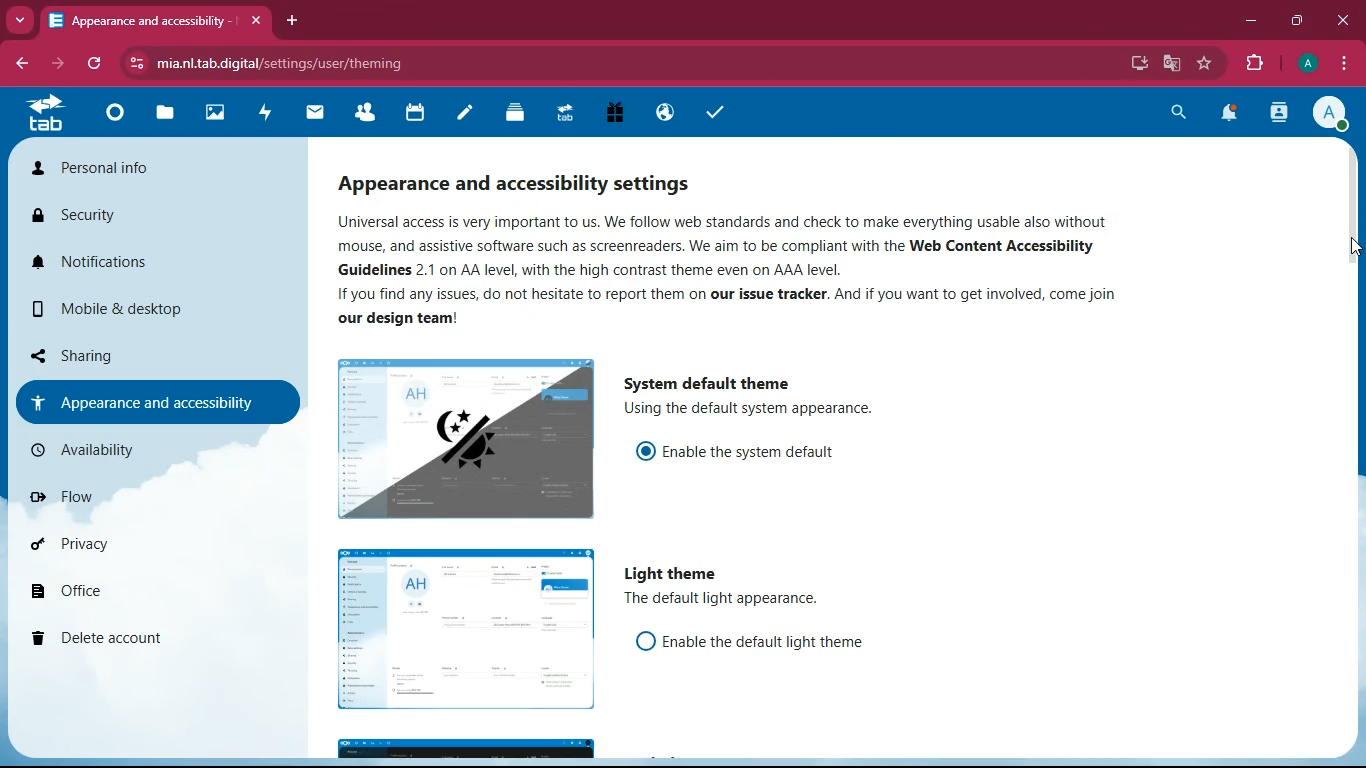  Describe the element at coordinates (1174, 112) in the screenshot. I see `search` at that location.